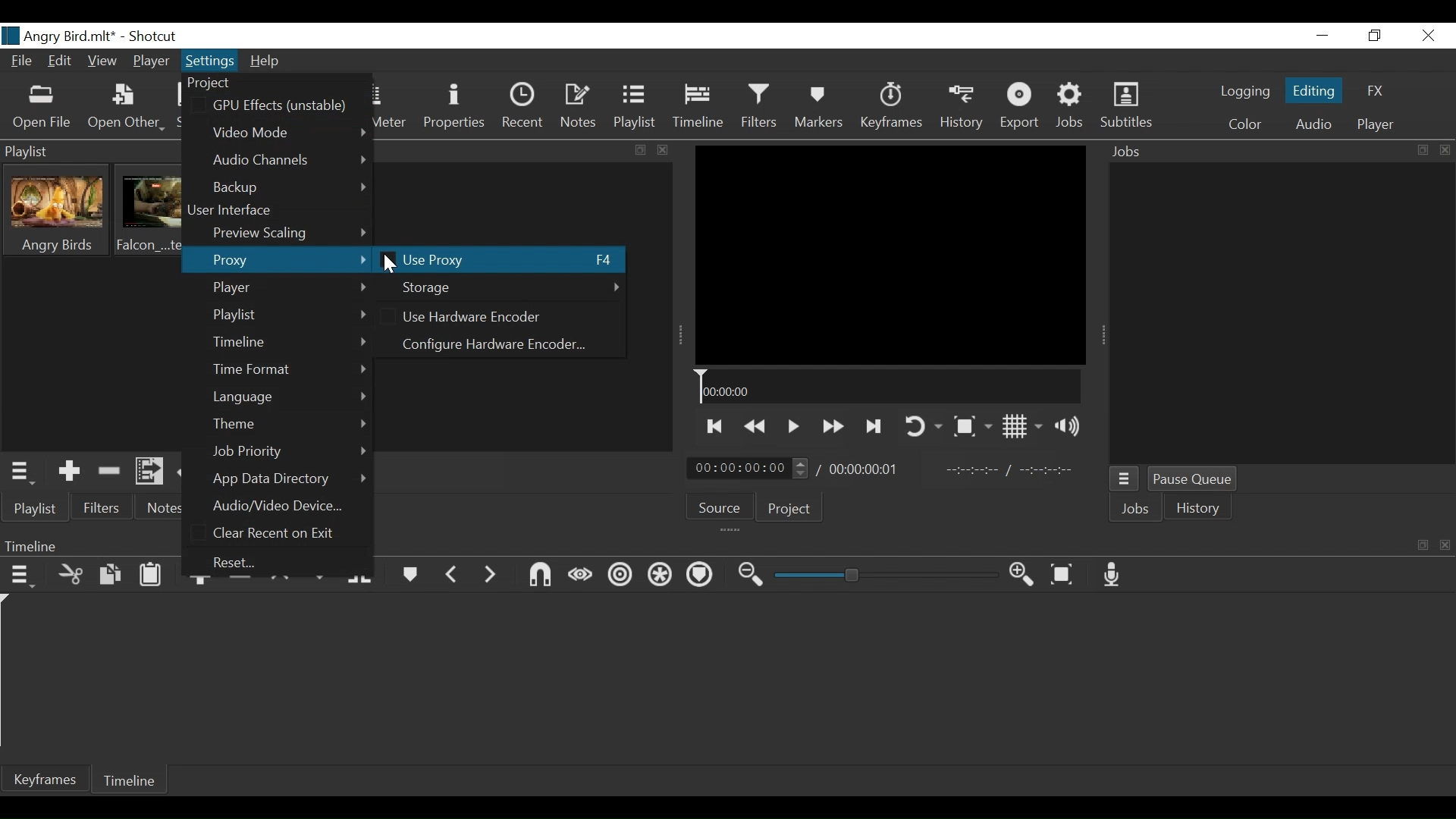  What do you see at coordinates (1428, 35) in the screenshot?
I see `Close` at bounding box center [1428, 35].